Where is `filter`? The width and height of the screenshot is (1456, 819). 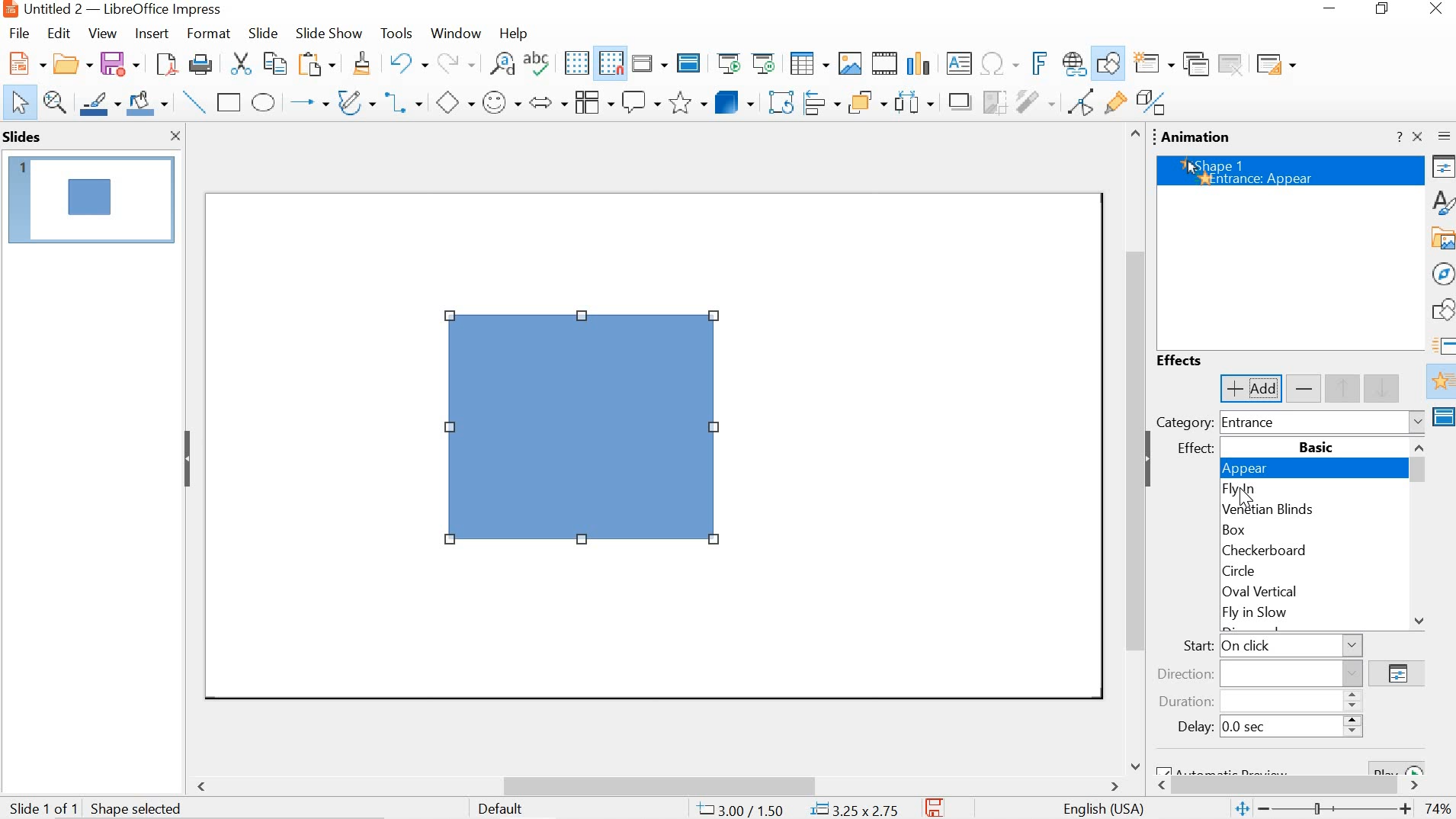
filter is located at coordinates (1034, 99).